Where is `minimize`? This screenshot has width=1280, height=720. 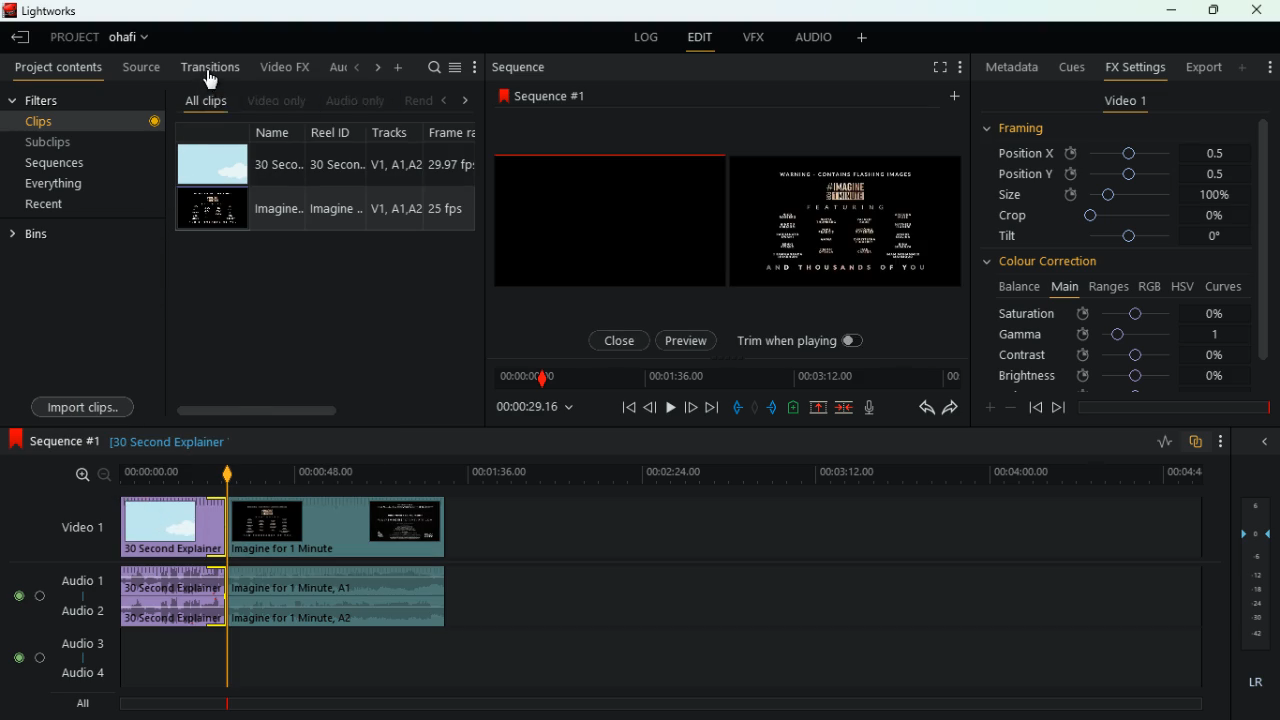
minimize is located at coordinates (1171, 12).